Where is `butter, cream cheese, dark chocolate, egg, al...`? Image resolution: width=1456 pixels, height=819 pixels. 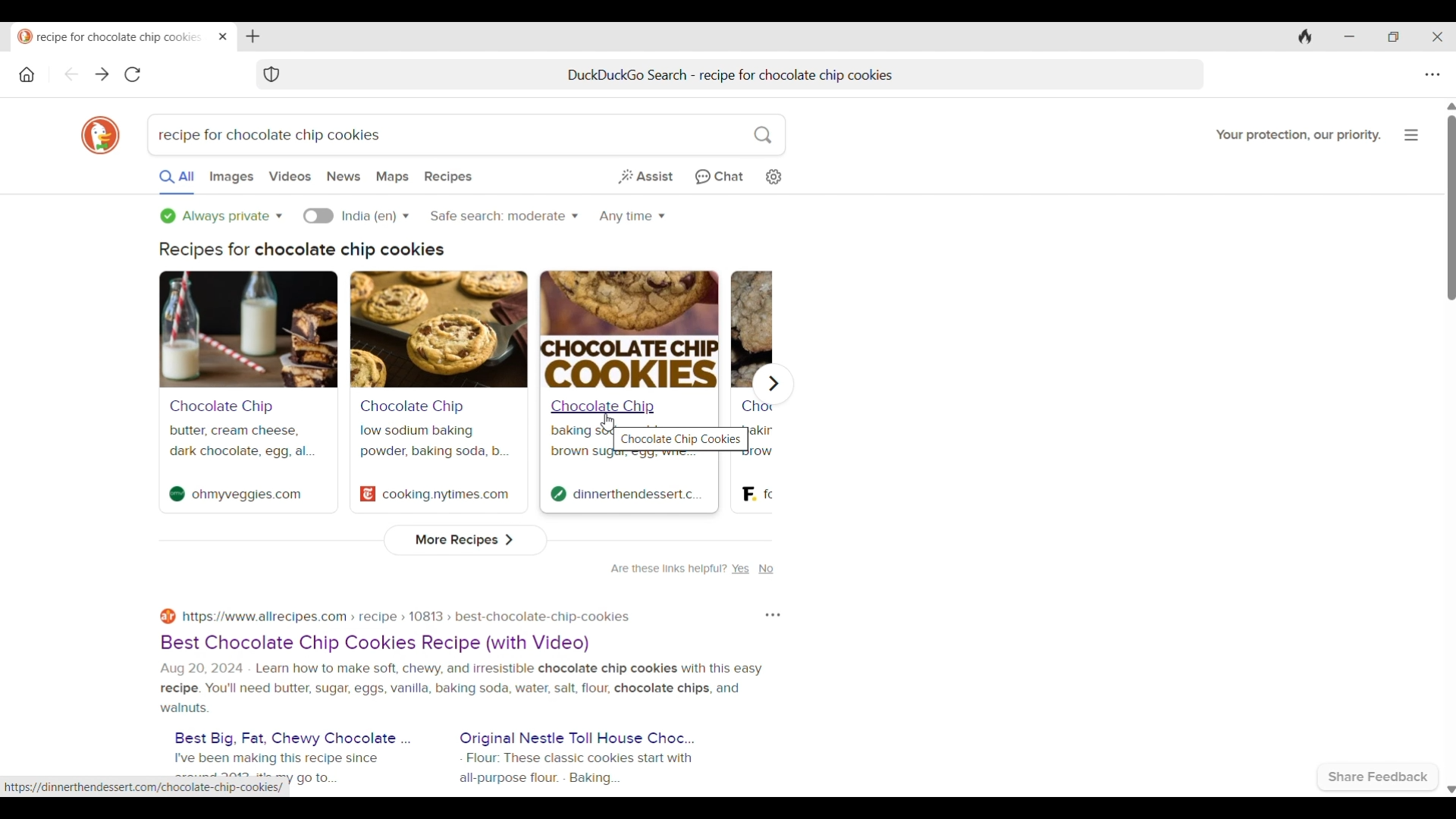
butter, cream cheese, dark chocolate, egg, al... is located at coordinates (241, 442).